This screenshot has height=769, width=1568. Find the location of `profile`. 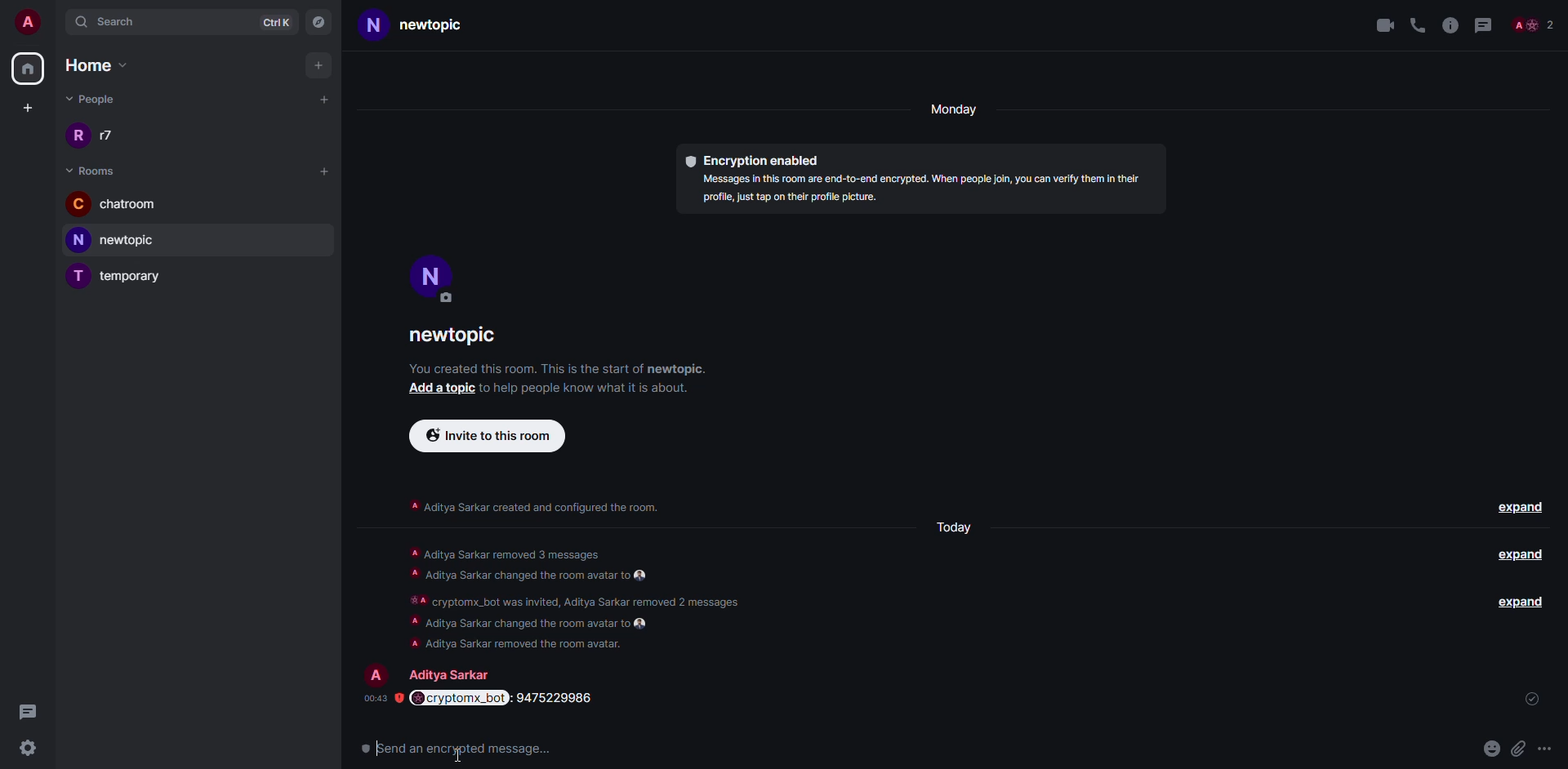

profile is located at coordinates (434, 287).